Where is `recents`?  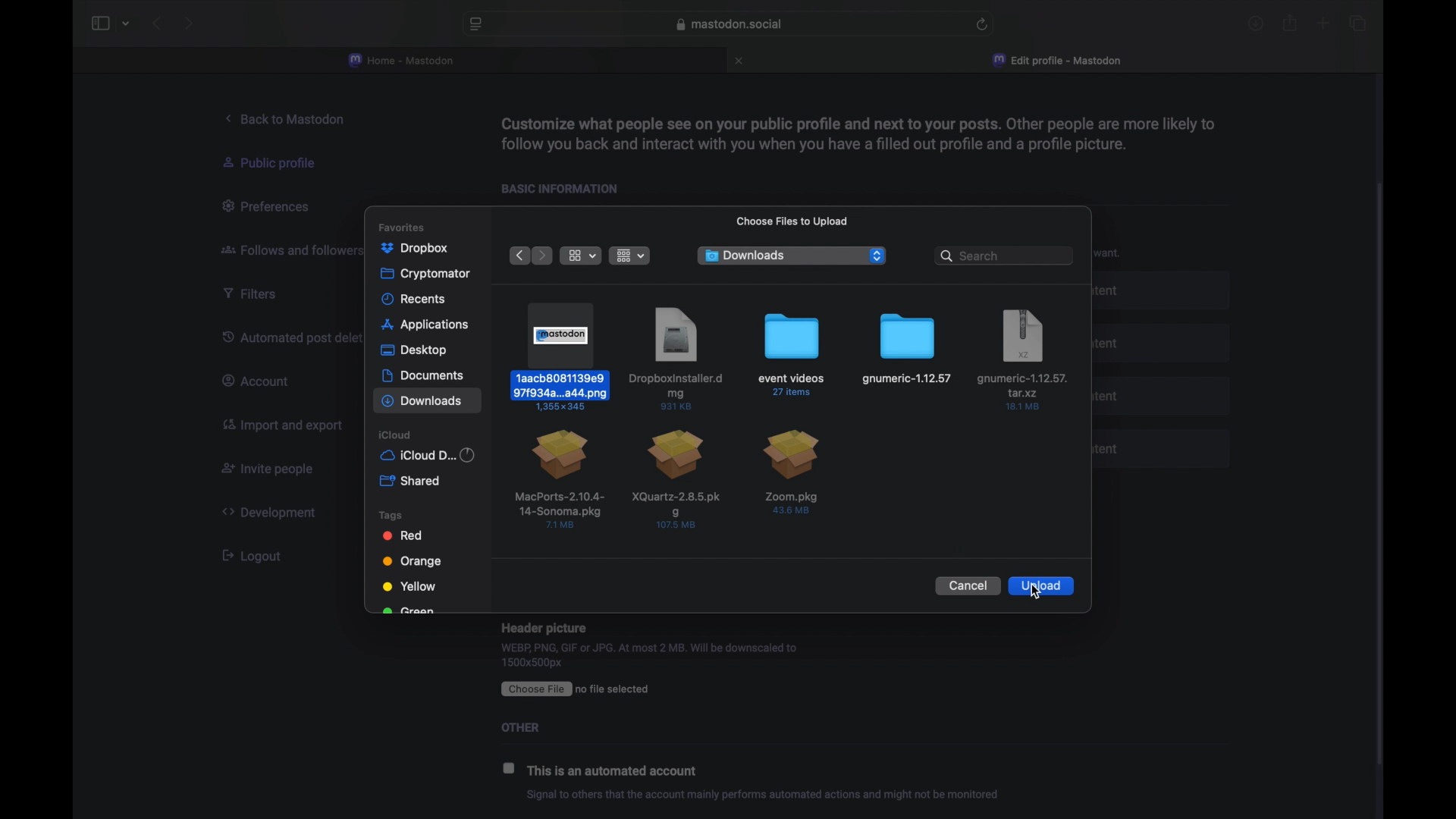 recents is located at coordinates (414, 299).